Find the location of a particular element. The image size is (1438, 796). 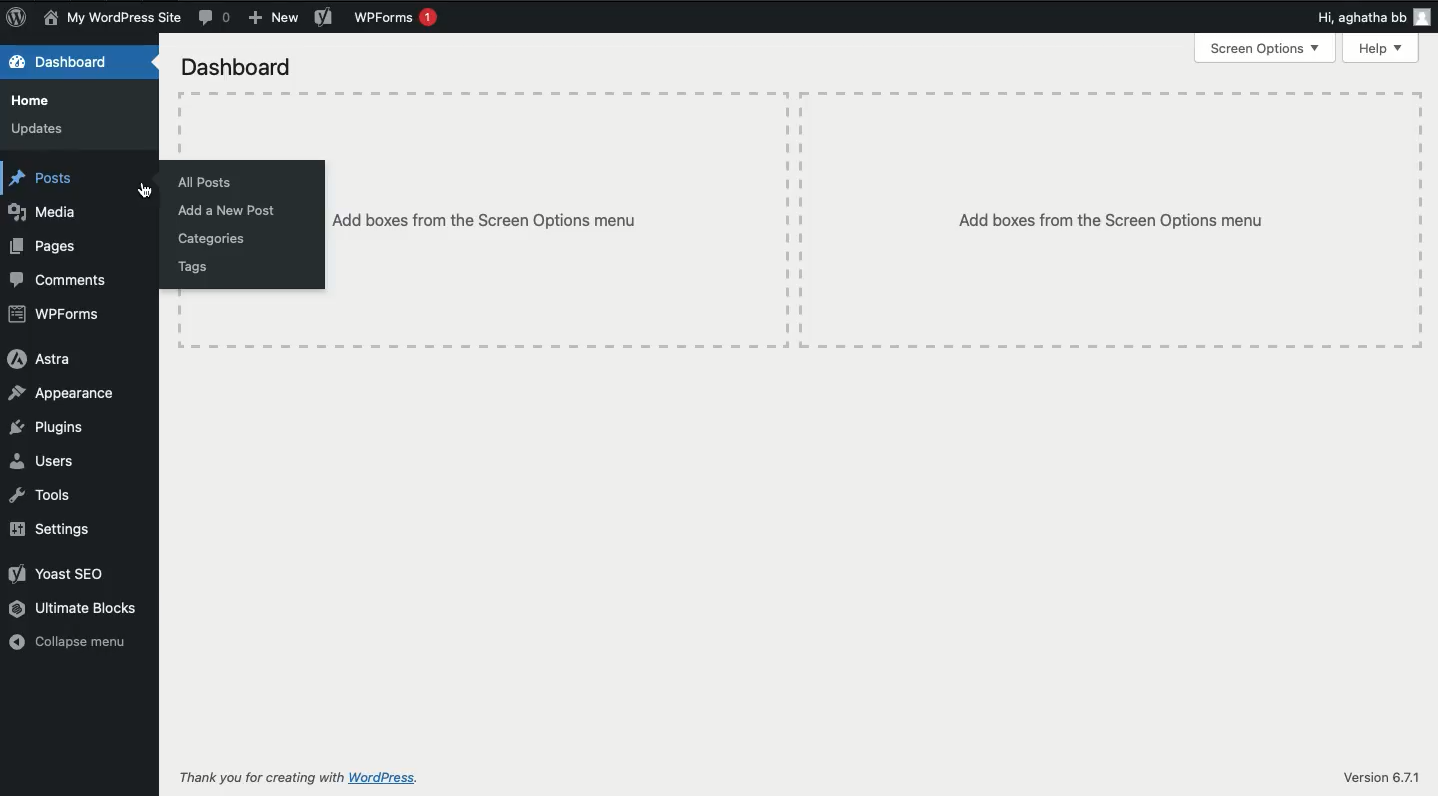

Screen options is located at coordinates (1265, 48).